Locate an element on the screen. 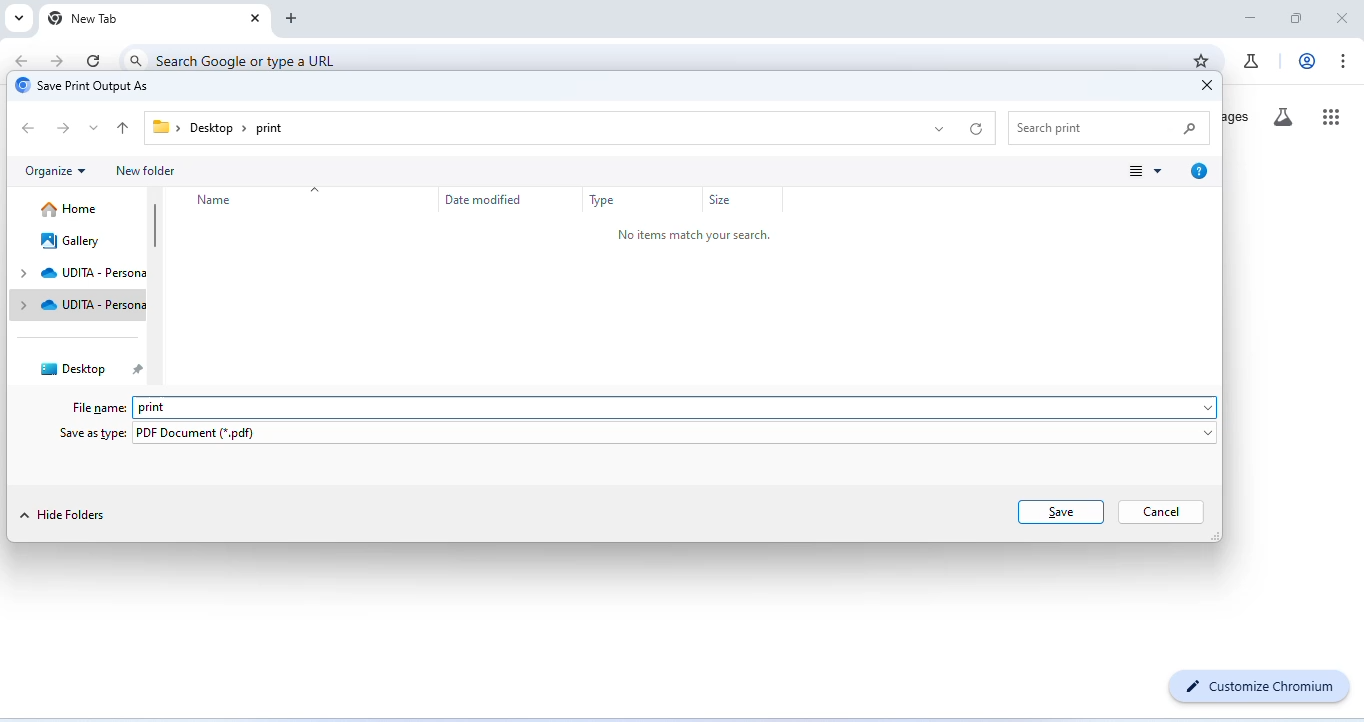 The image size is (1364, 722). previous folder is located at coordinates (29, 127).